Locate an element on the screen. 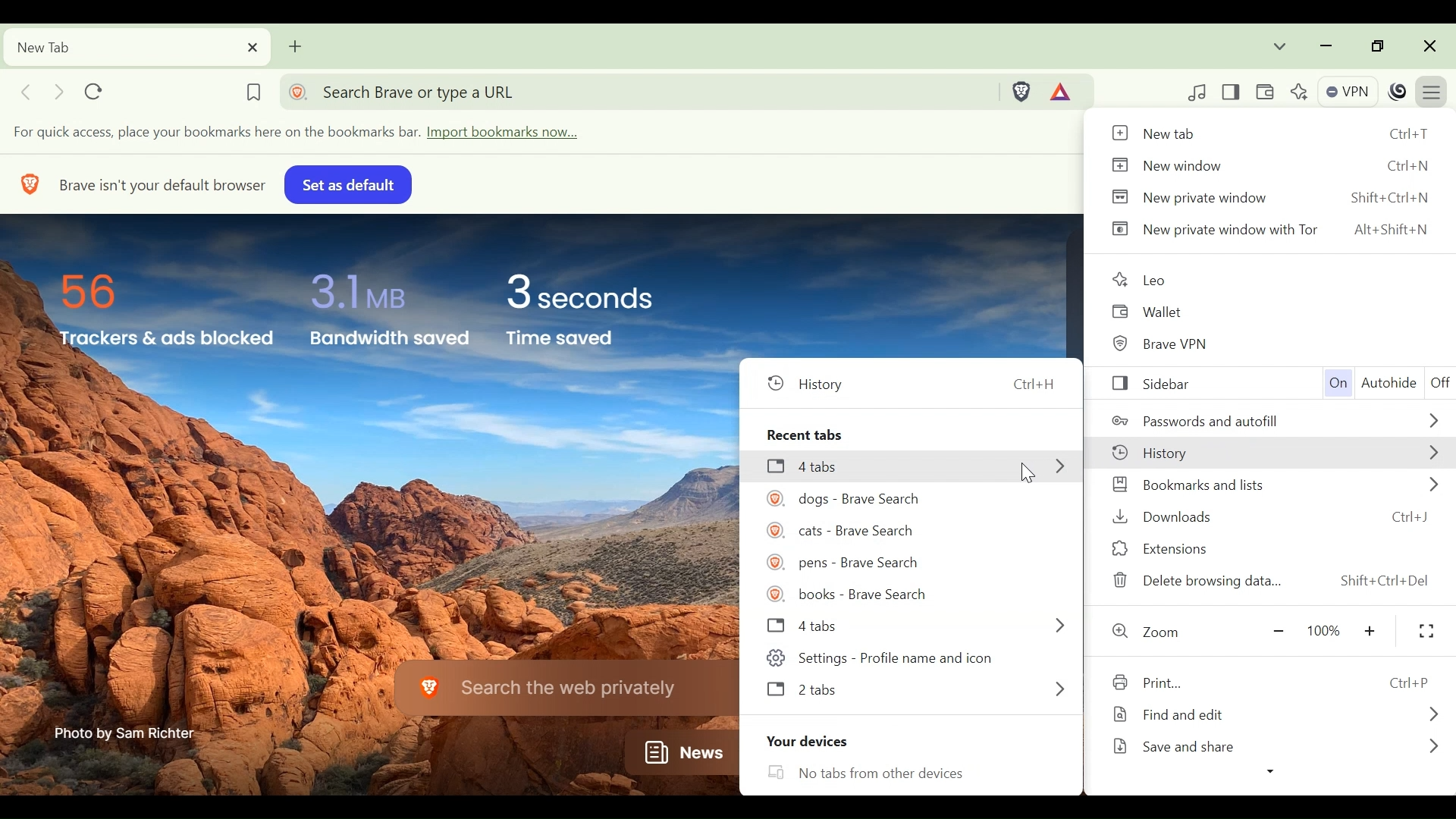  2tabs is located at coordinates (821, 690).